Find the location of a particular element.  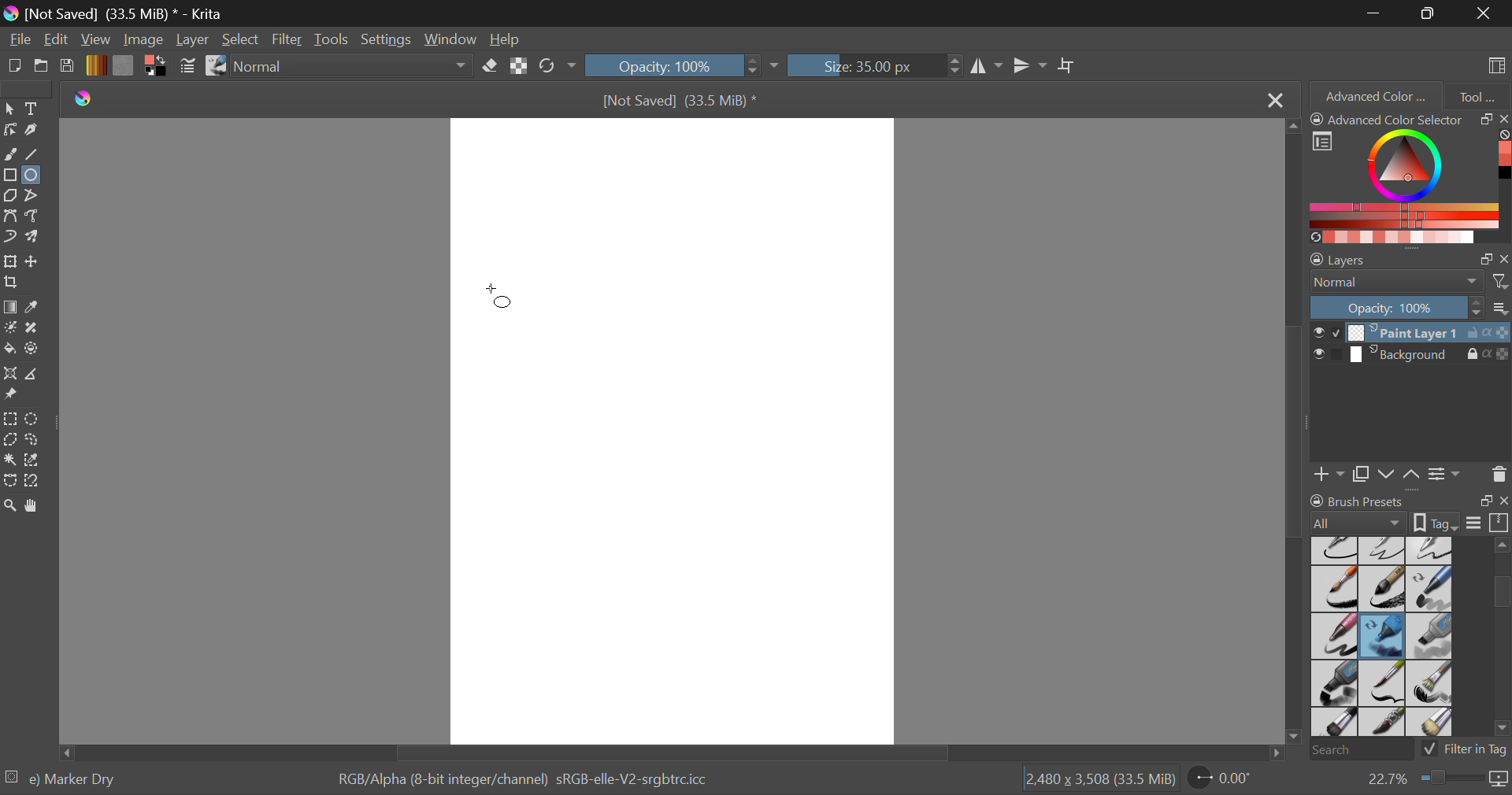

Blending Mode is located at coordinates (1410, 282).